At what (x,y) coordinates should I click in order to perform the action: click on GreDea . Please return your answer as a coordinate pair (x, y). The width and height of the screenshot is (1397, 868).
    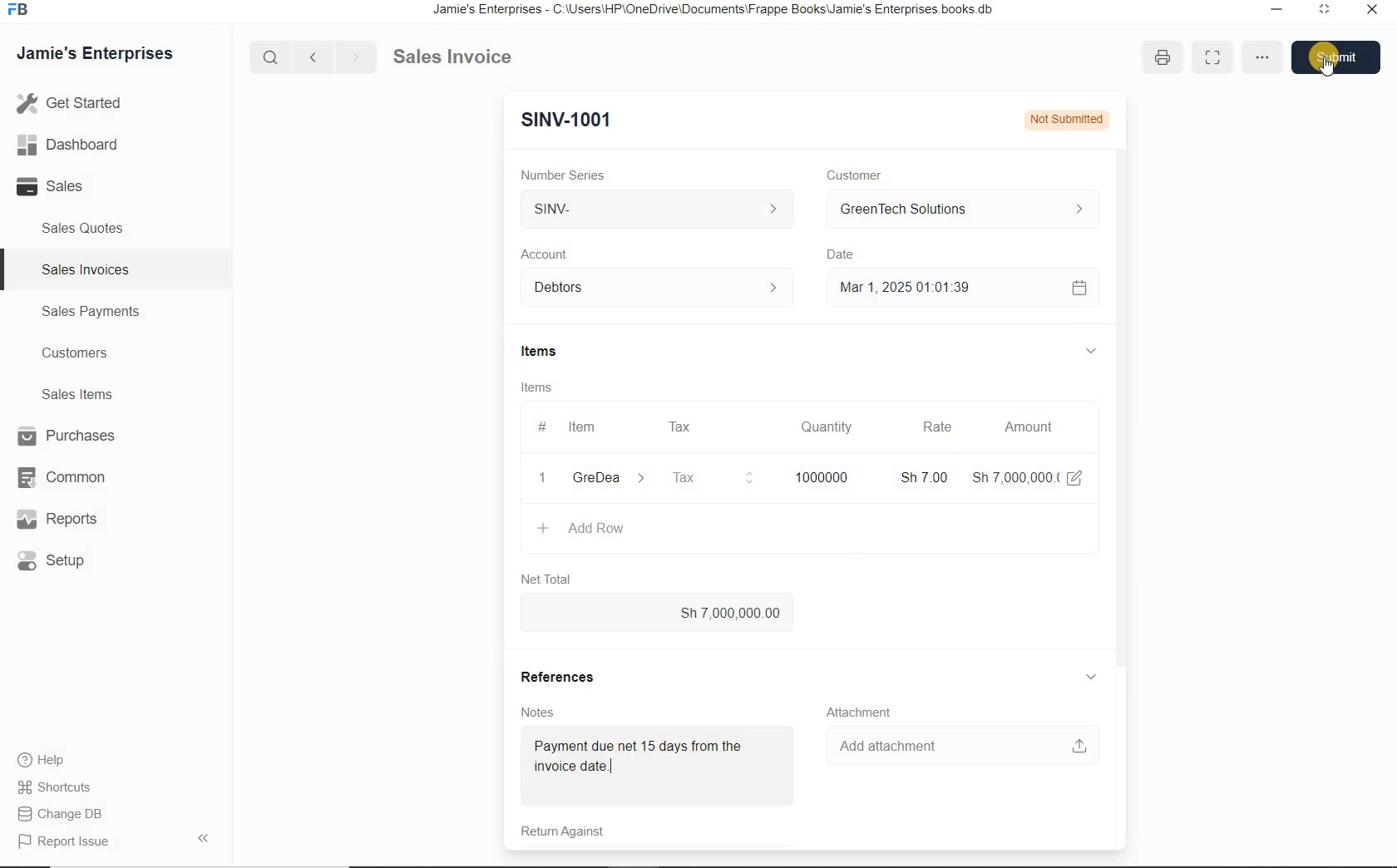
    Looking at the image, I should click on (606, 479).